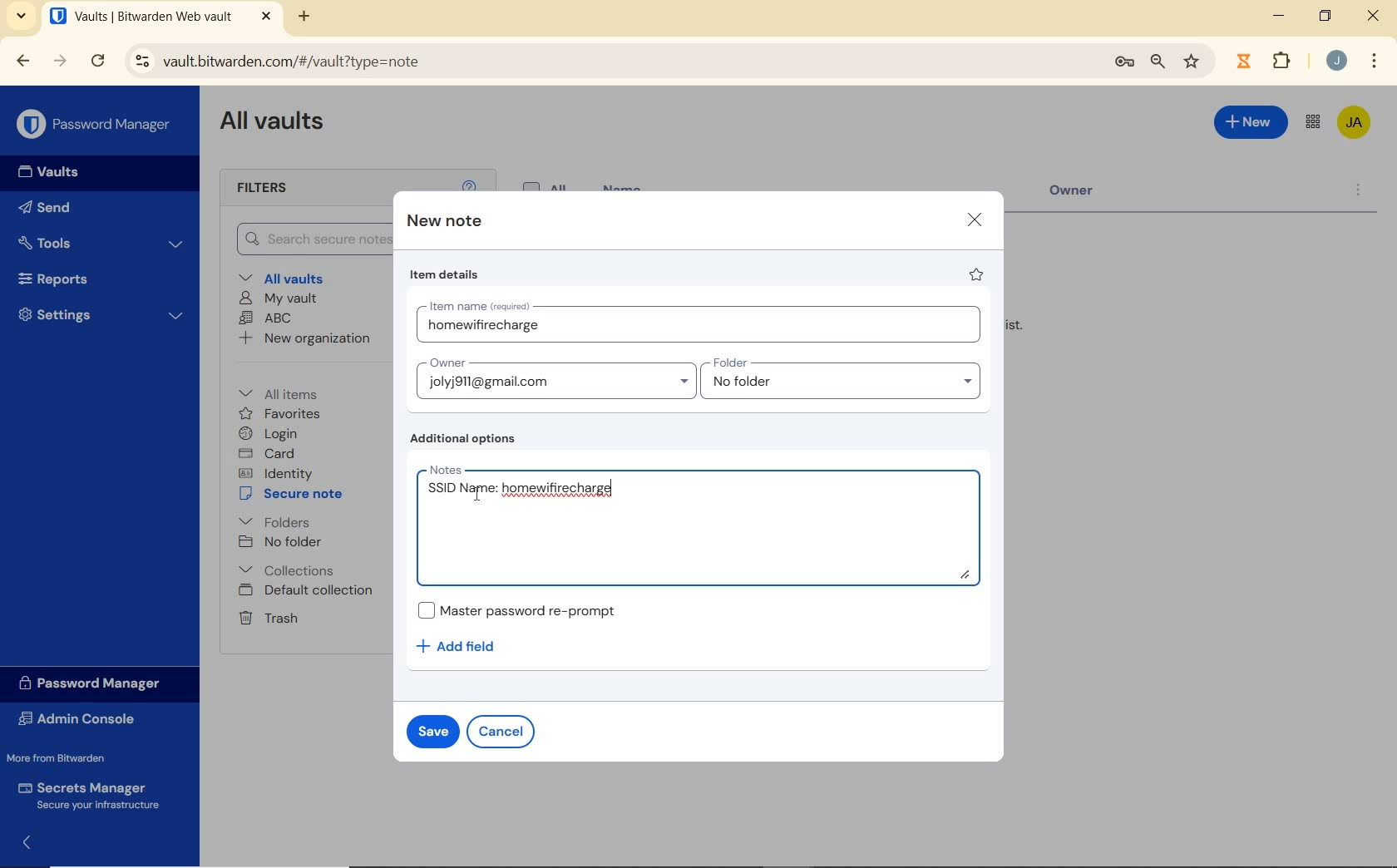 Image resolution: width=1397 pixels, height=868 pixels. I want to click on search tabs, so click(23, 18).